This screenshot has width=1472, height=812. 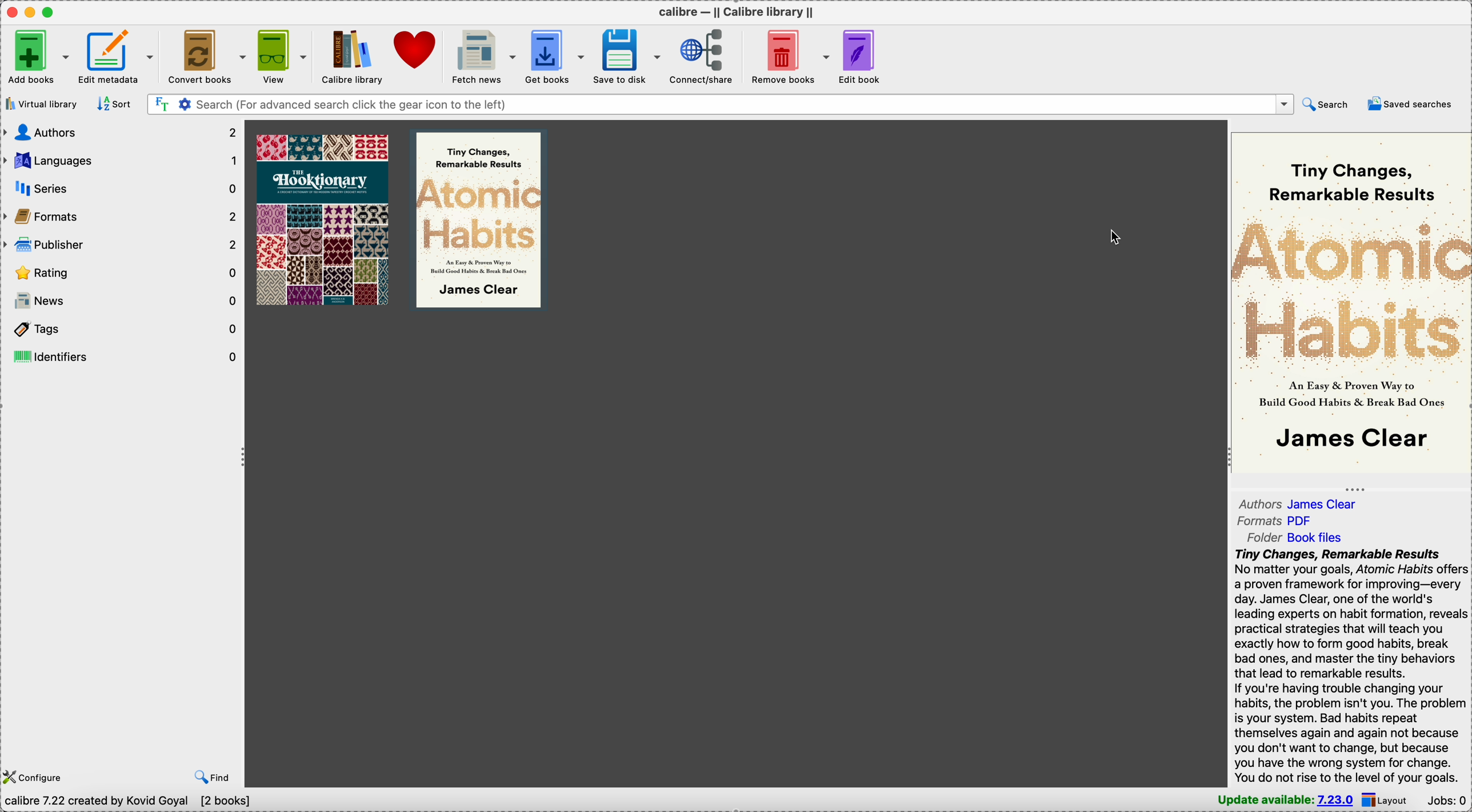 I want to click on James clear, so click(x=1353, y=440).